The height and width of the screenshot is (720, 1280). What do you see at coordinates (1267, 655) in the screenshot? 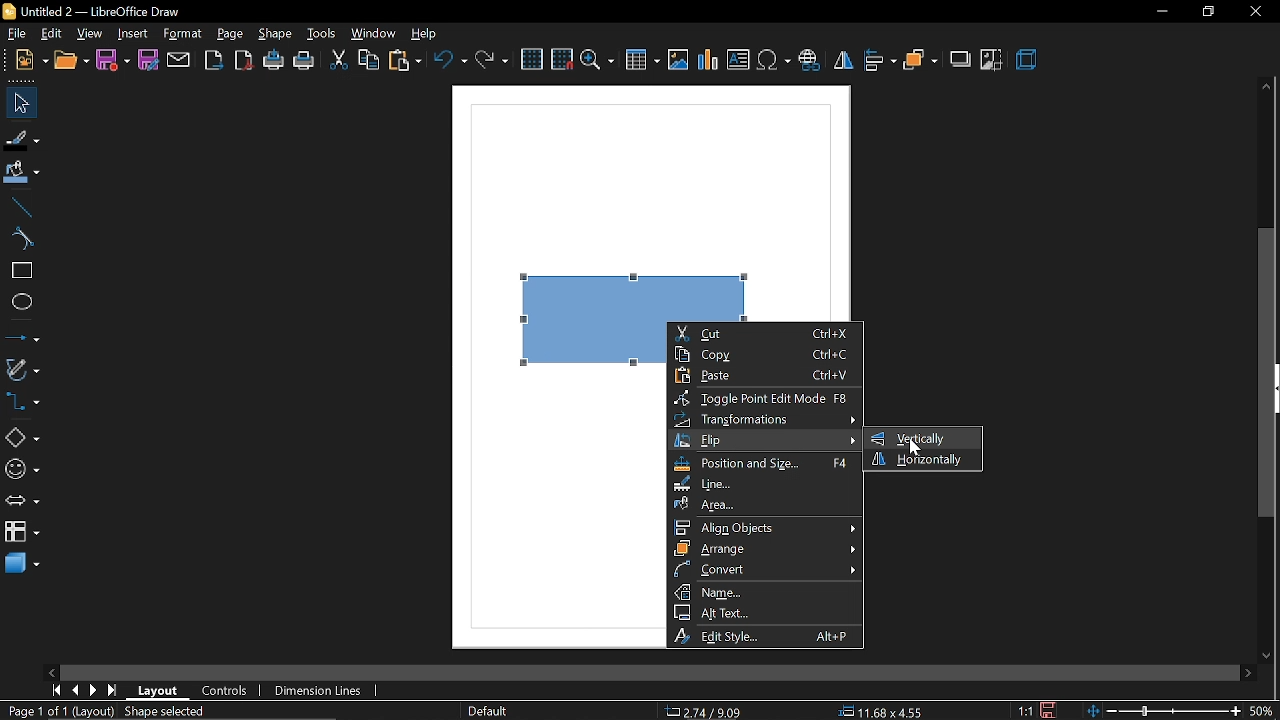
I see `move down` at bounding box center [1267, 655].